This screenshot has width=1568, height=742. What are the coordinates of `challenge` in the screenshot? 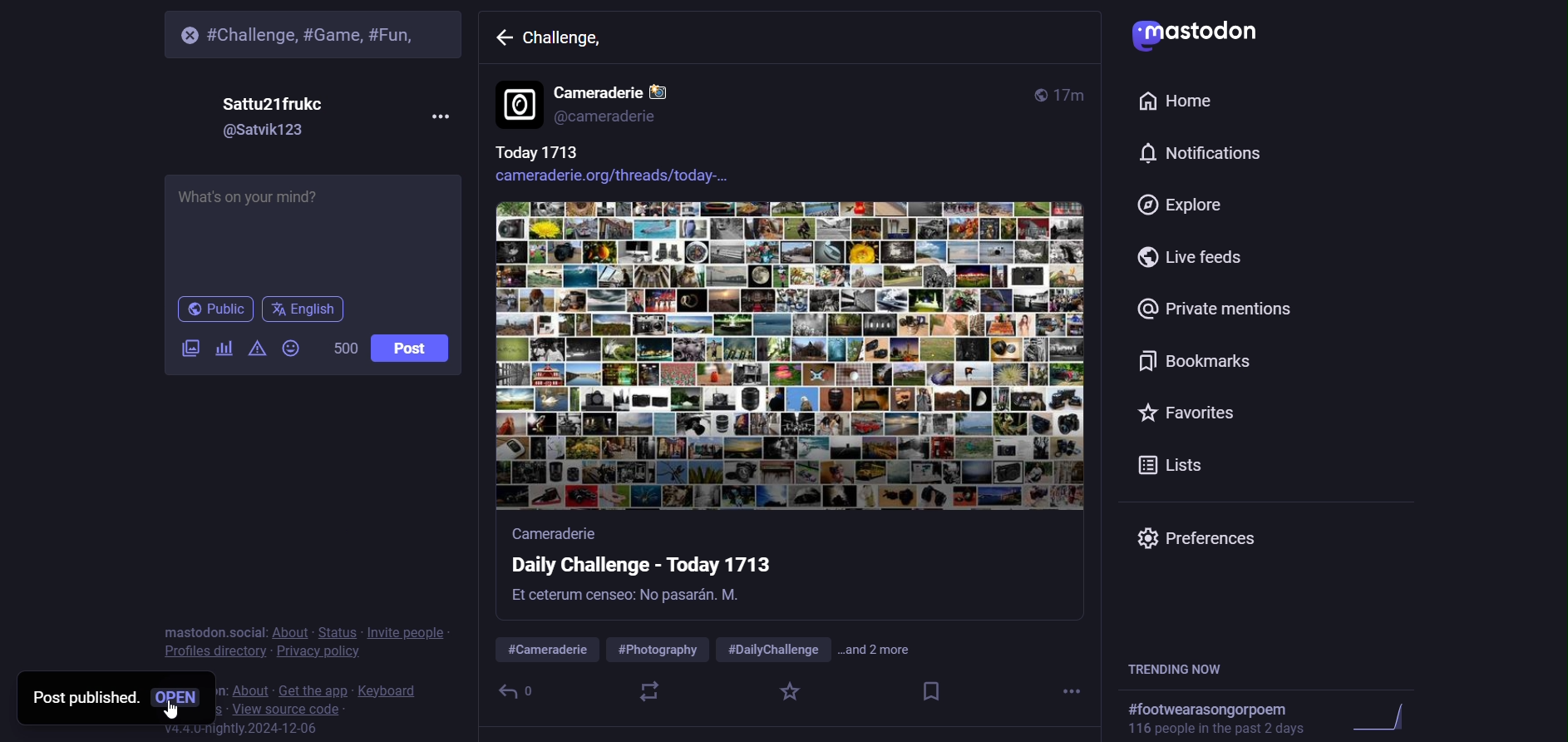 It's located at (570, 44).